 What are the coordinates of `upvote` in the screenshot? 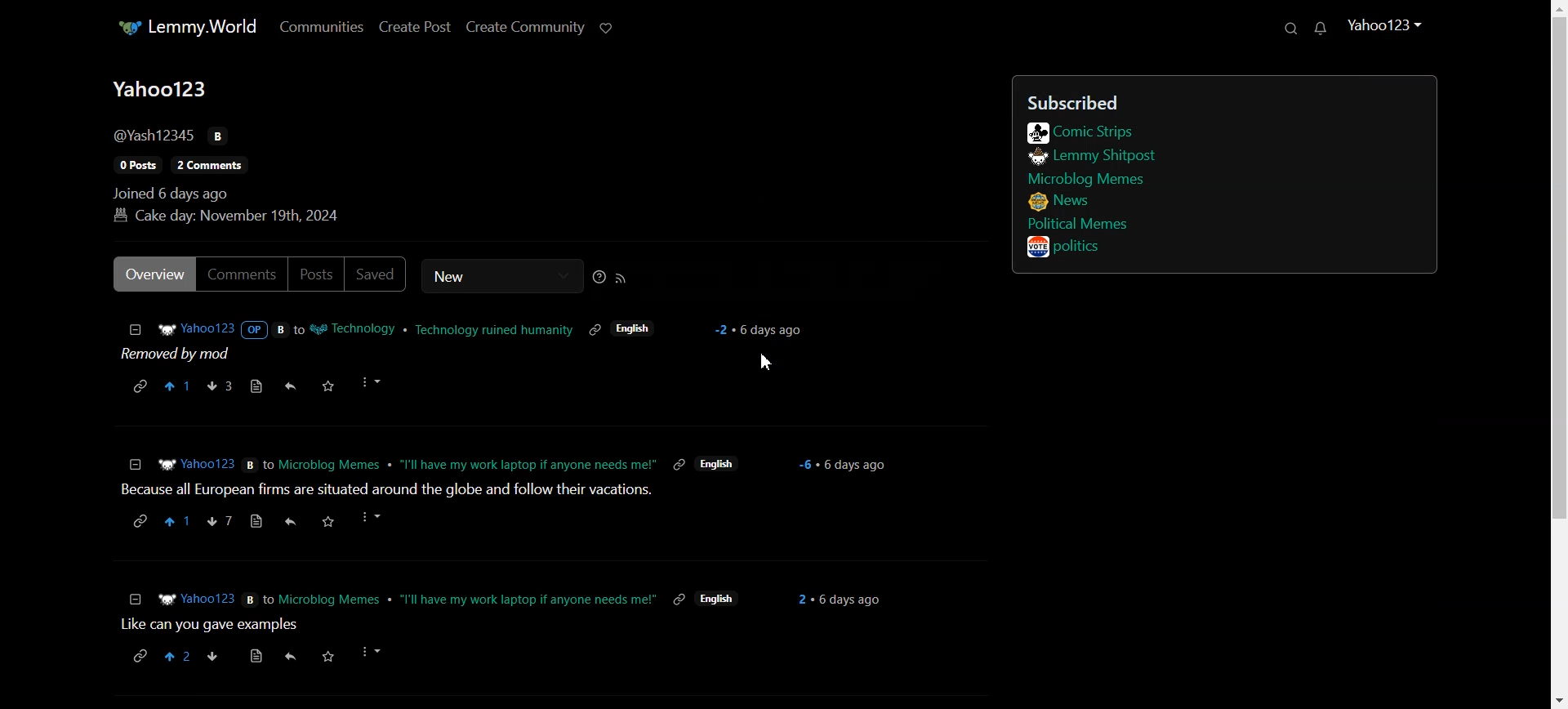 It's located at (180, 523).